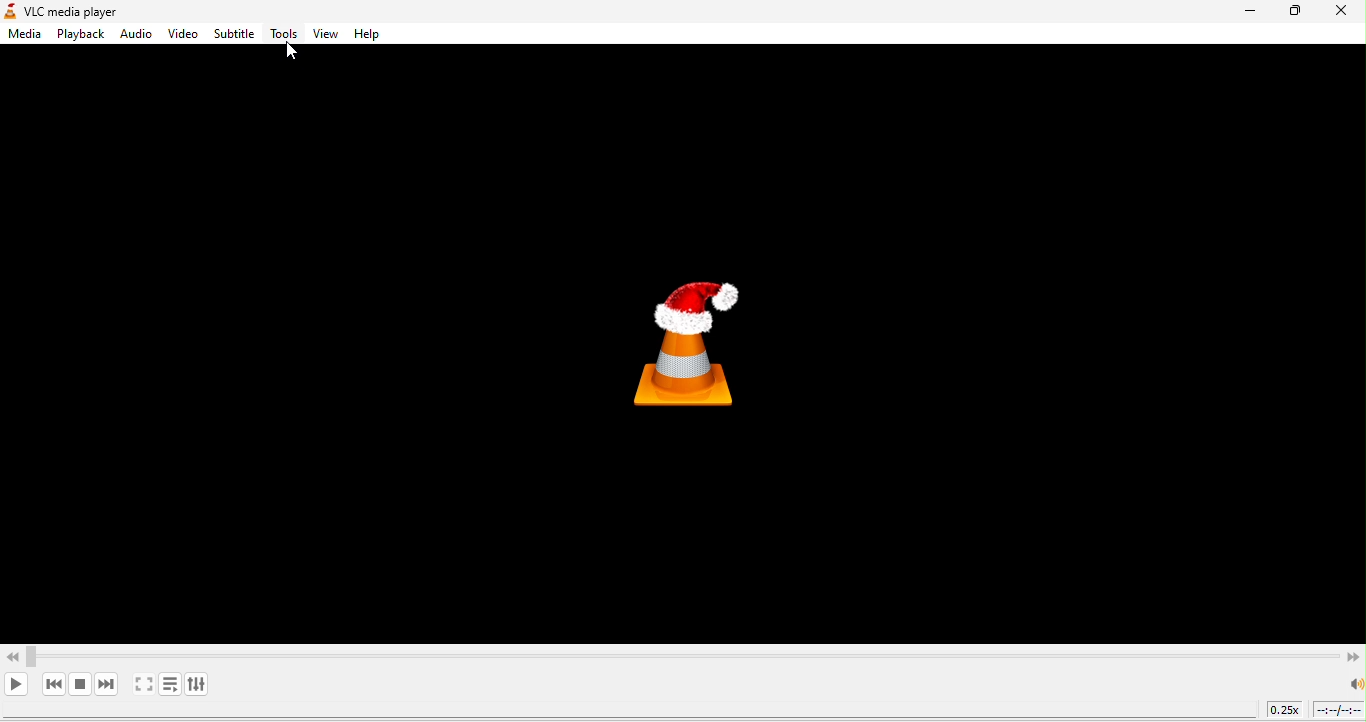 The height and width of the screenshot is (722, 1366). I want to click on maximize, so click(1300, 13).